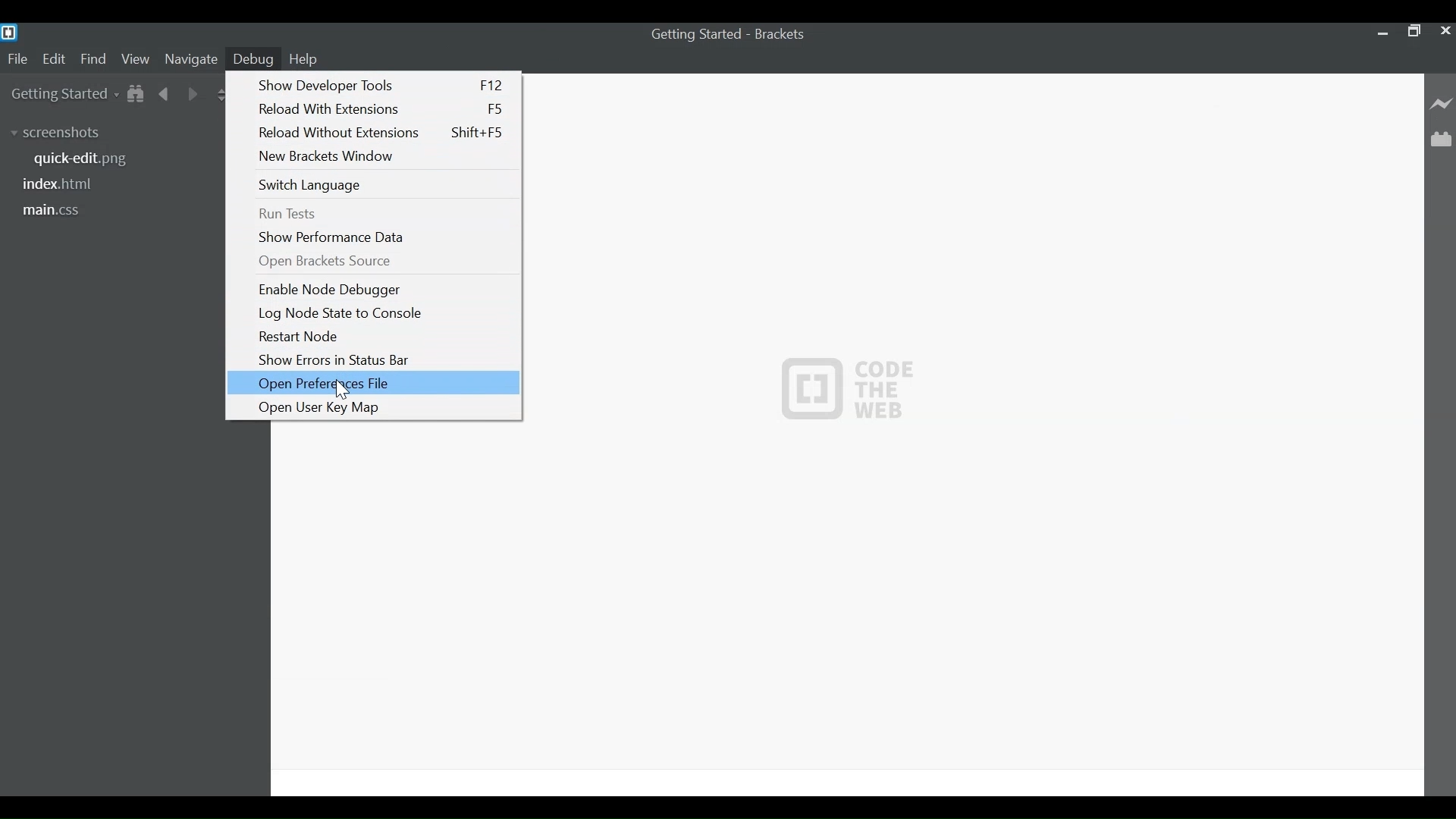 This screenshot has height=819, width=1456. What do you see at coordinates (385, 237) in the screenshot?
I see `Show Performance Data` at bounding box center [385, 237].